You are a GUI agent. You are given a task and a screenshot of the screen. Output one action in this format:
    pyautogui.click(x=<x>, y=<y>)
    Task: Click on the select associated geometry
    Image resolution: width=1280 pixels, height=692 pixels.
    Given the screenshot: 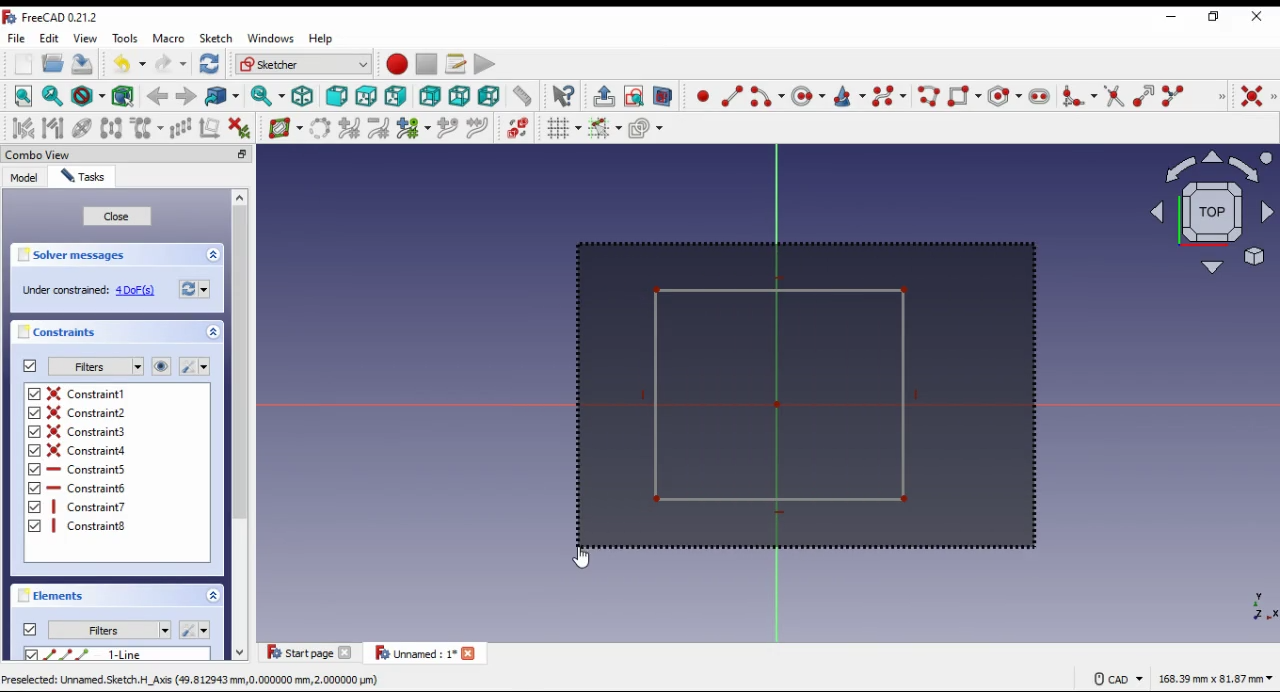 What is the action you would take?
    pyautogui.click(x=53, y=128)
    